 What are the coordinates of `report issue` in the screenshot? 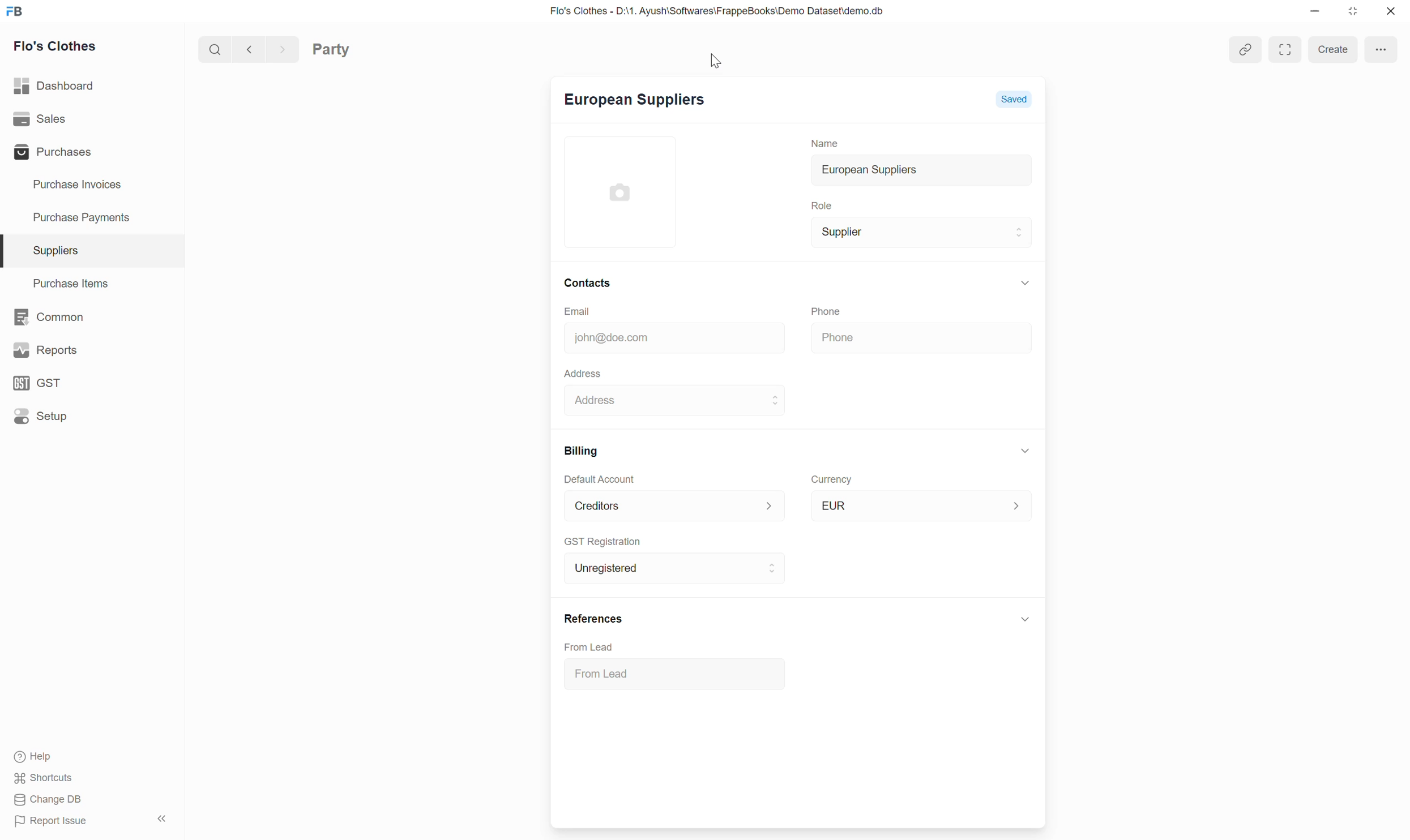 It's located at (51, 821).